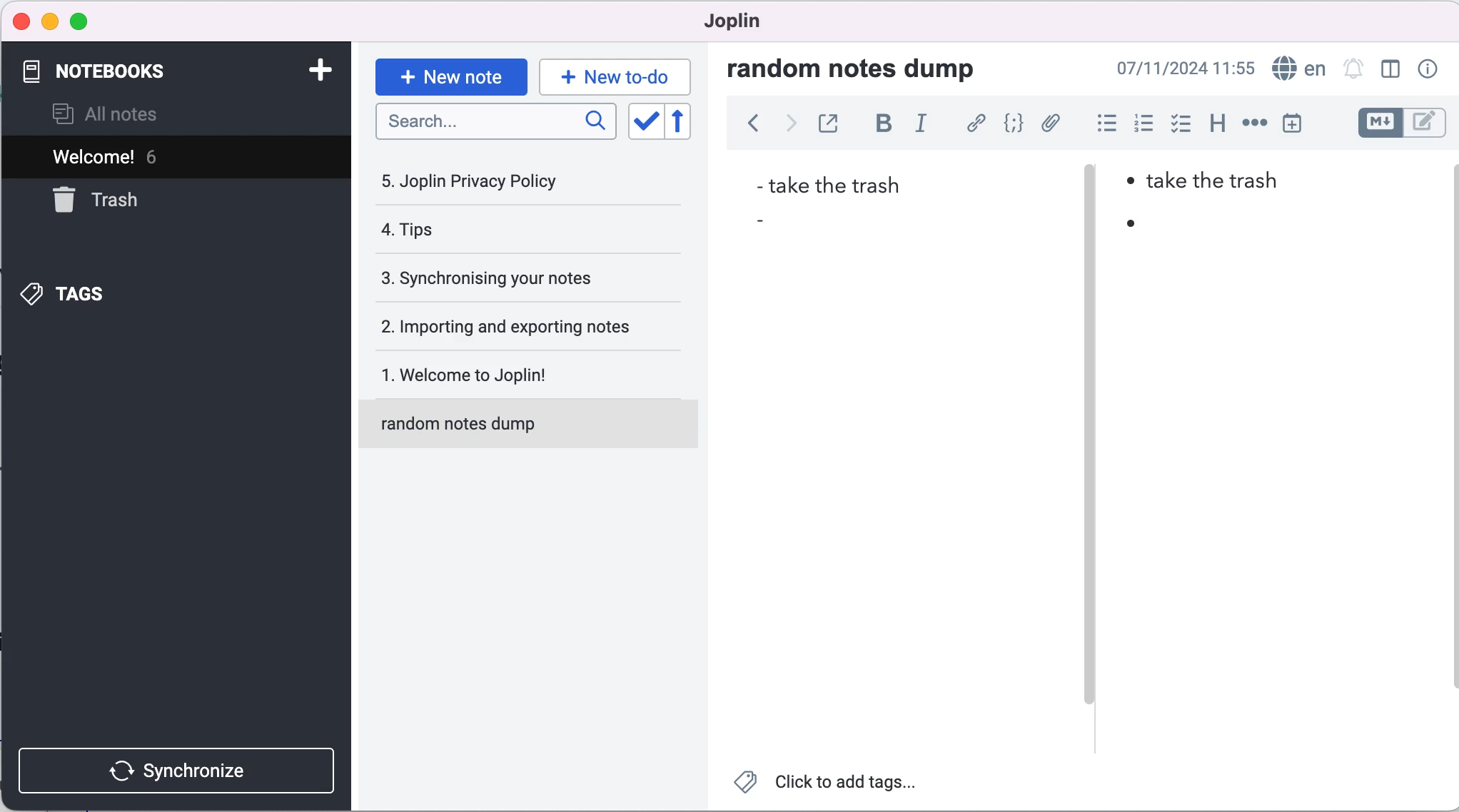  What do you see at coordinates (1049, 125) in the screenshot?
I see `attach file` at bounding box center [1049, 125].